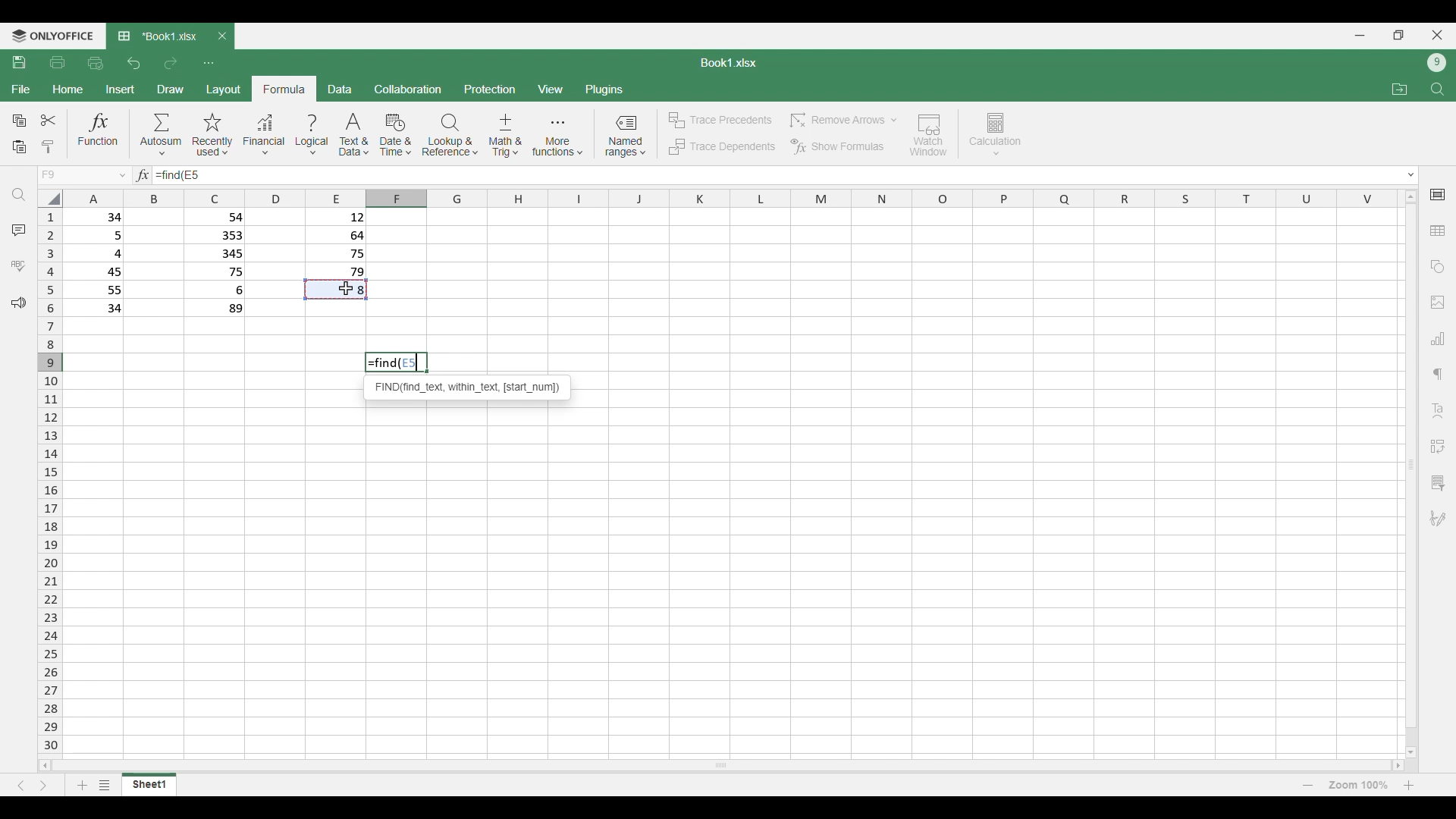 The height and width of the screenshot is (819, 1456). What do you see at coordinates (1360, 36) in the screenshot?
I see `Minimize` at bounding box center [1360, 36].